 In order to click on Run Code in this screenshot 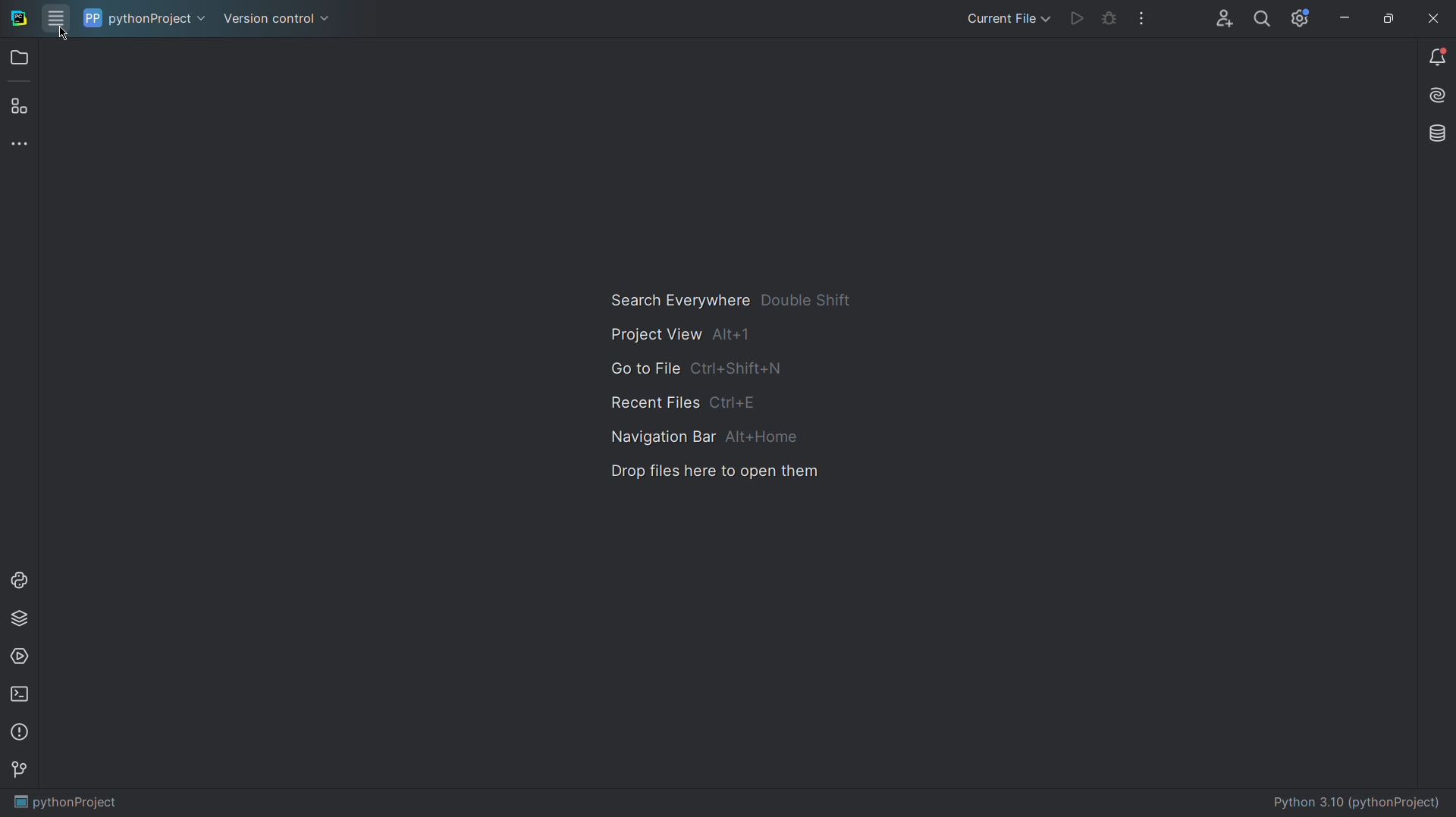, I will do `click(1081, 19)`.